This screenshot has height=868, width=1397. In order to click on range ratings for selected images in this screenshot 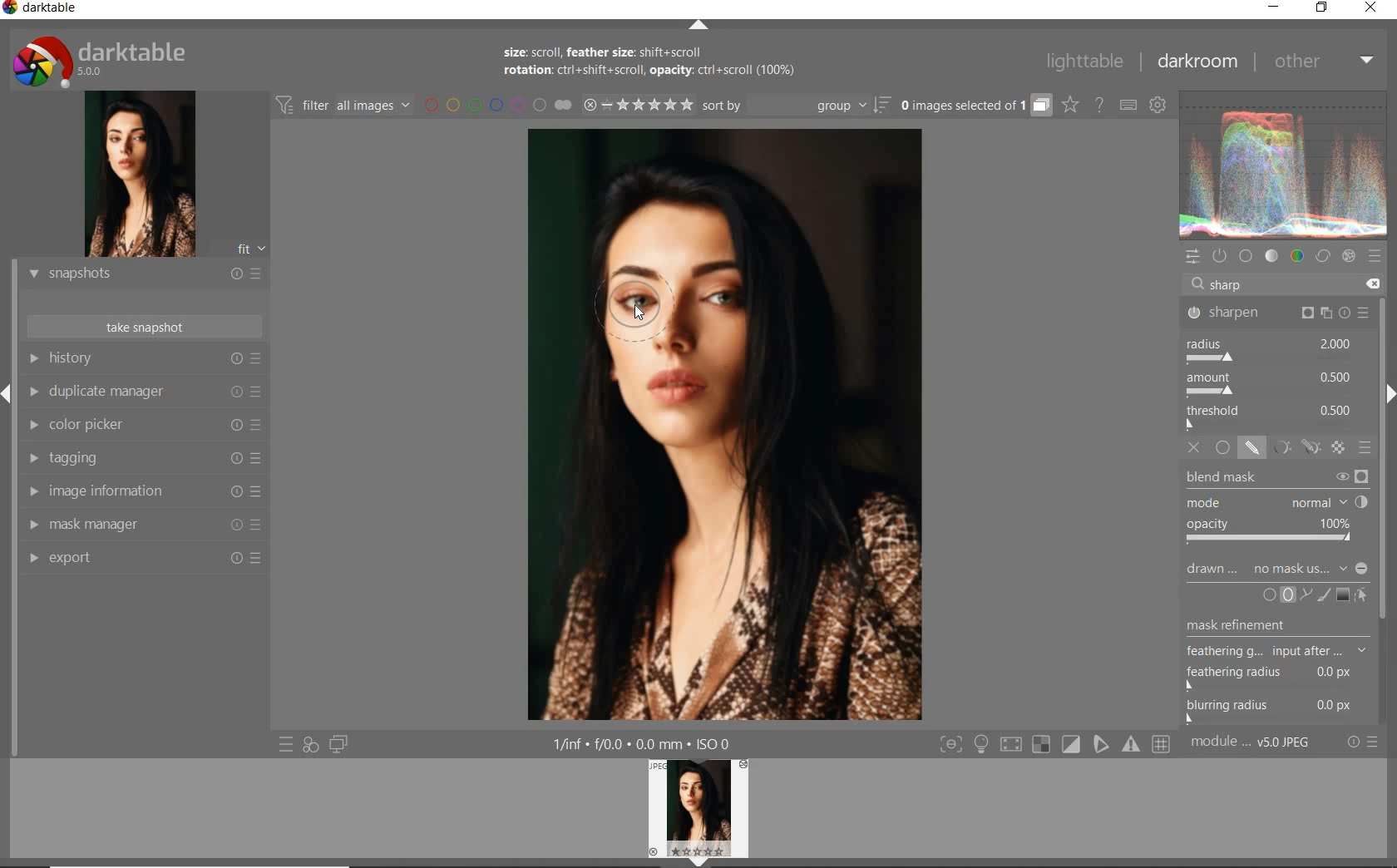, I will do `click(623, 106)`.